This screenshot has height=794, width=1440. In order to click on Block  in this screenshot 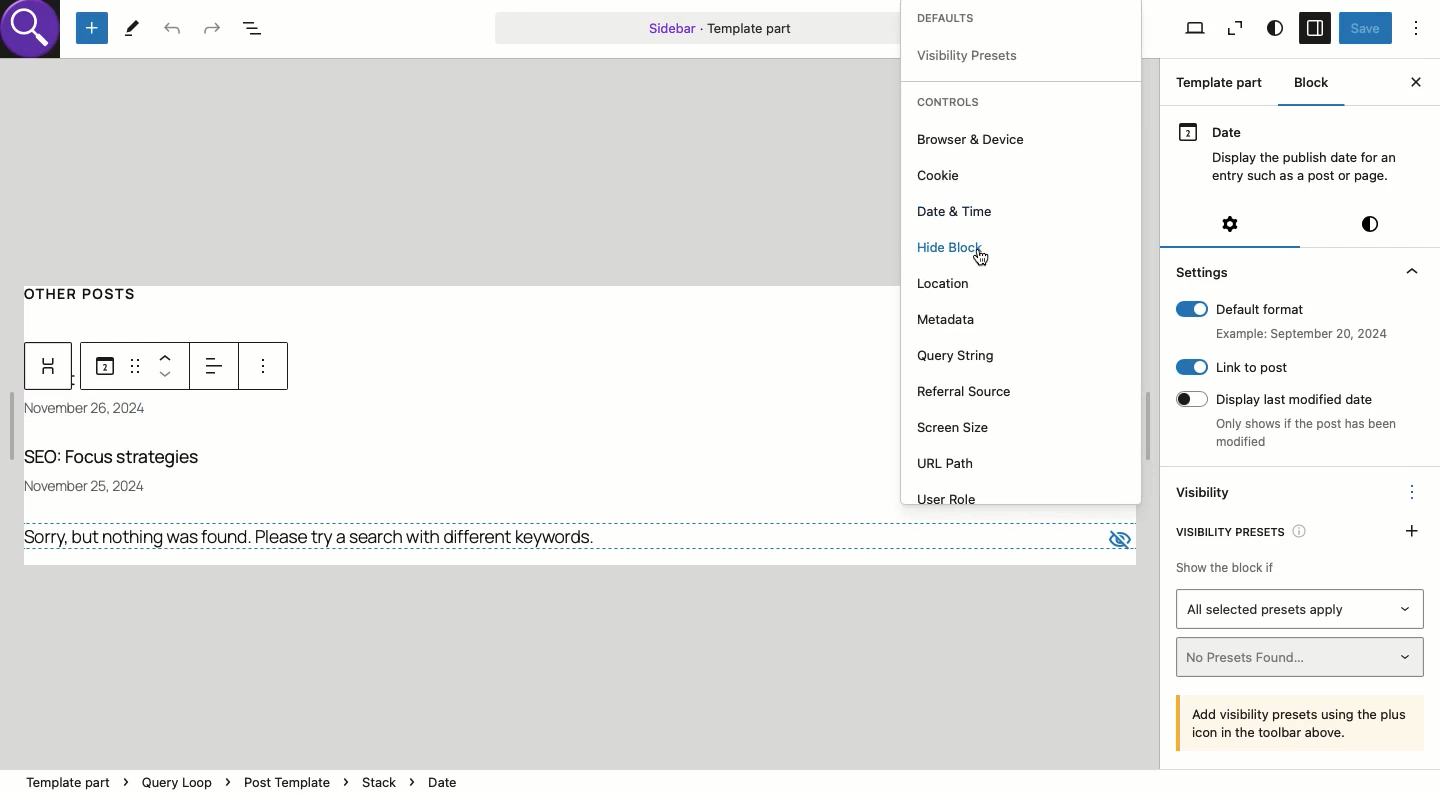, I will do `click(1314, 82)`.